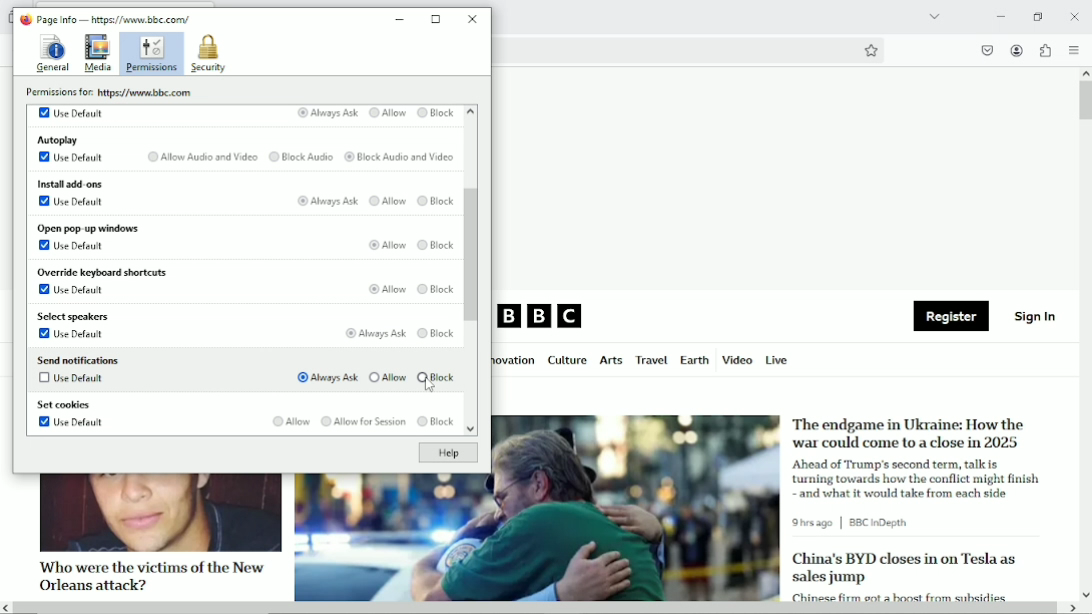  Describe the element at coordinates (75, 317) in the screenshot. I see `Select speakers` at that location.